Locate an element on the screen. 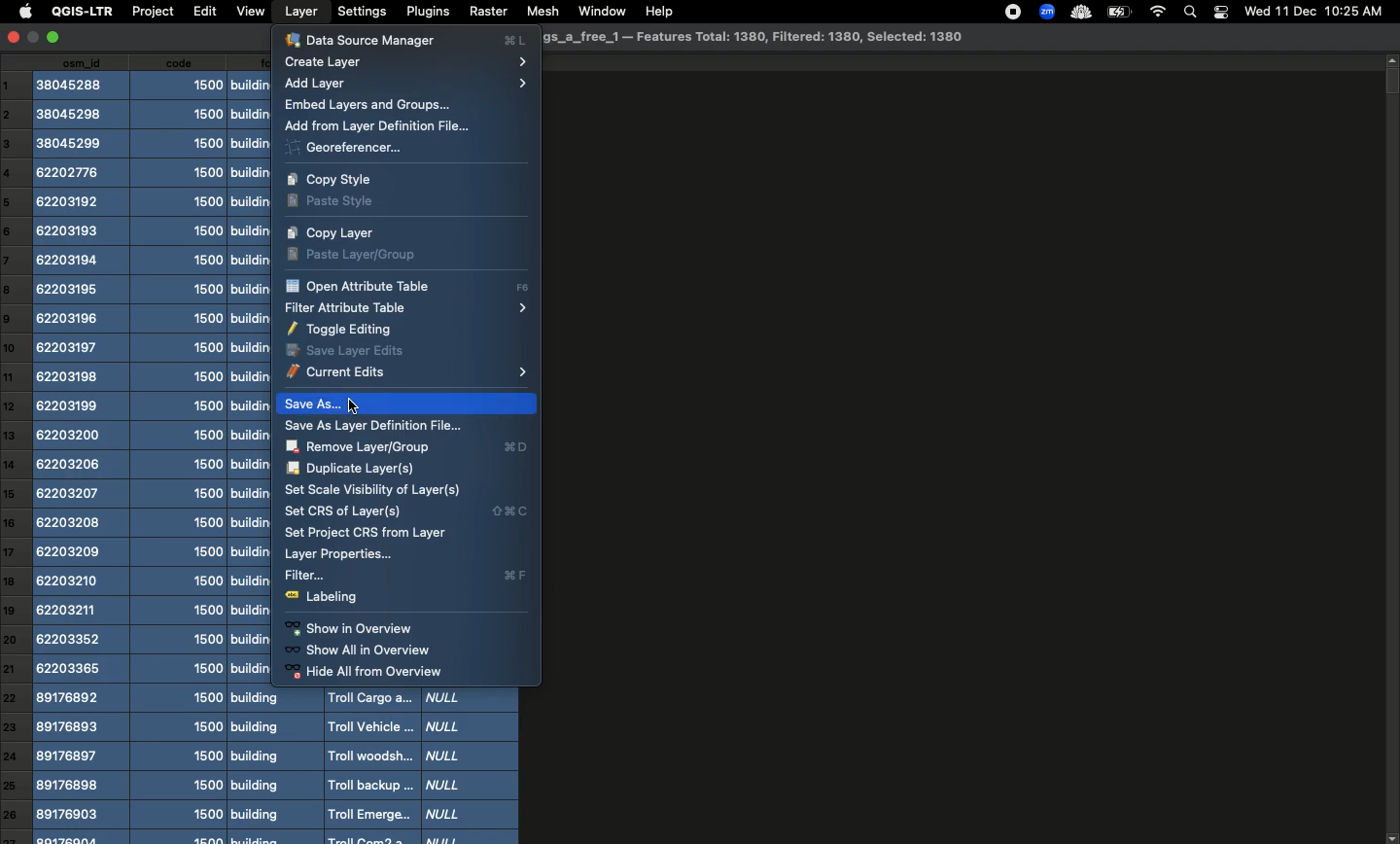 This screenshot has height=844, width=1400. Georeferencer  is located at coordinates (344, 149).